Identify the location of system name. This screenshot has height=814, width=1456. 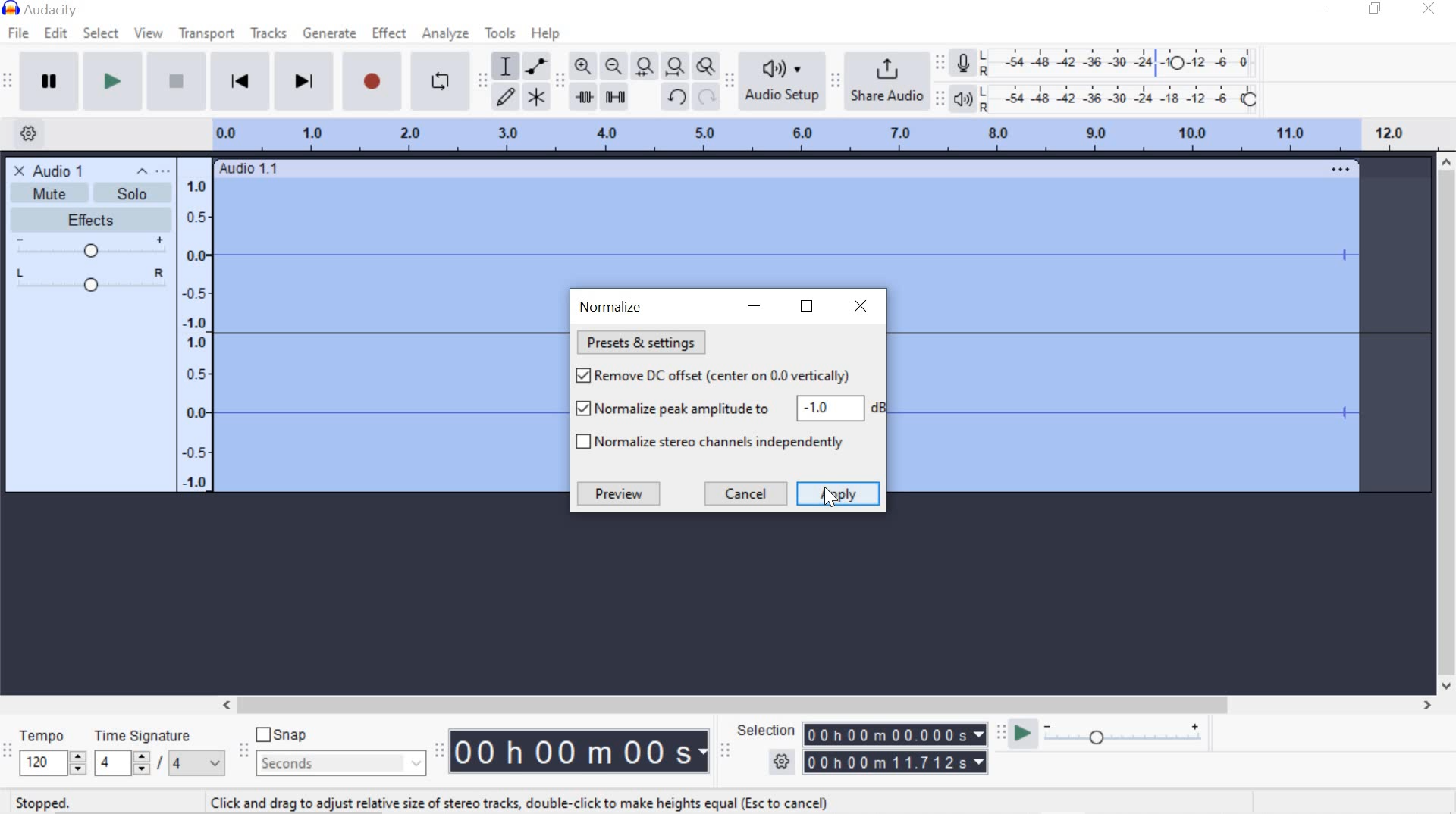
(39, 10).